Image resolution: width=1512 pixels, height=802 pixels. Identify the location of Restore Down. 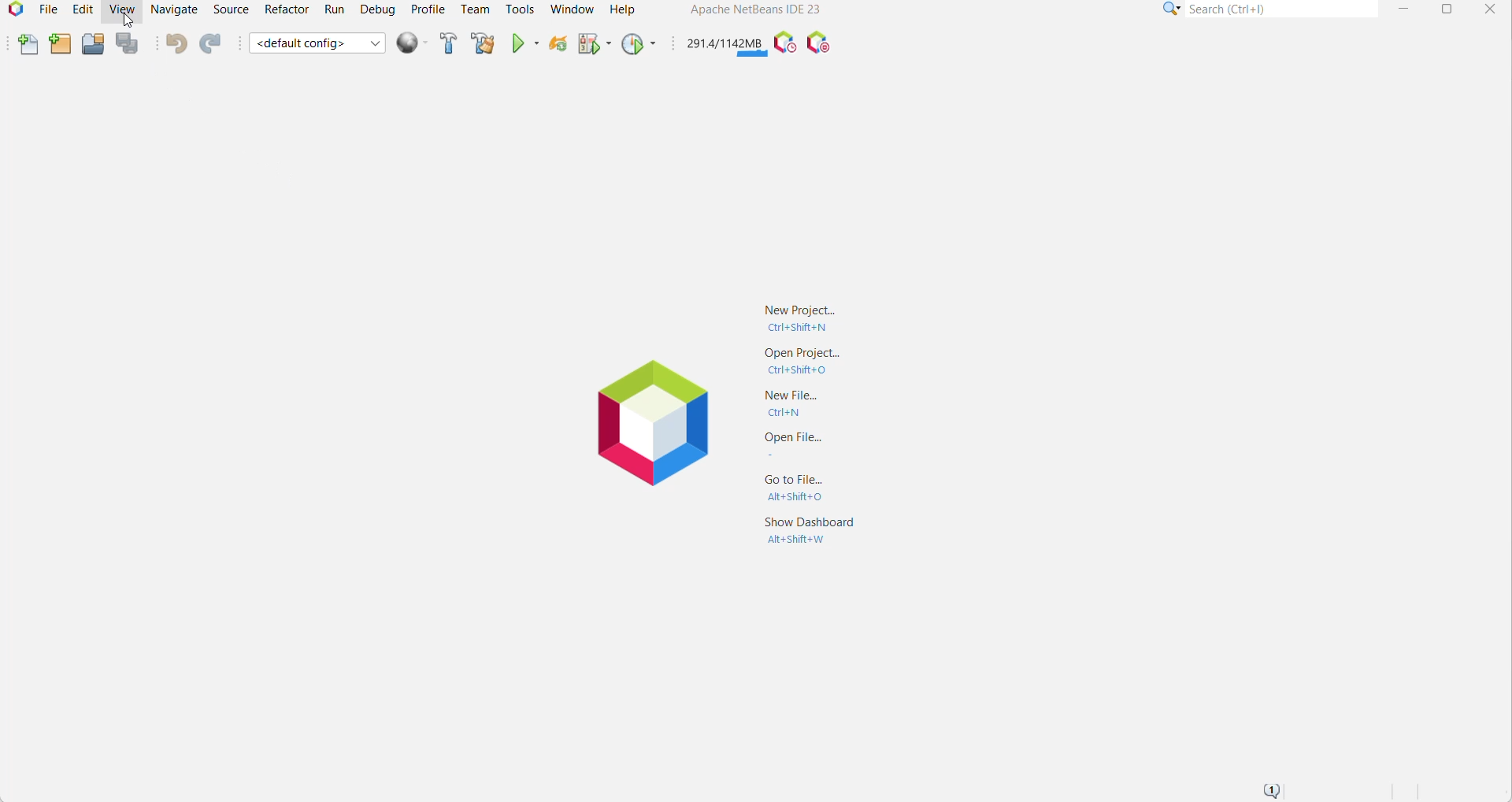
(1444, 9).